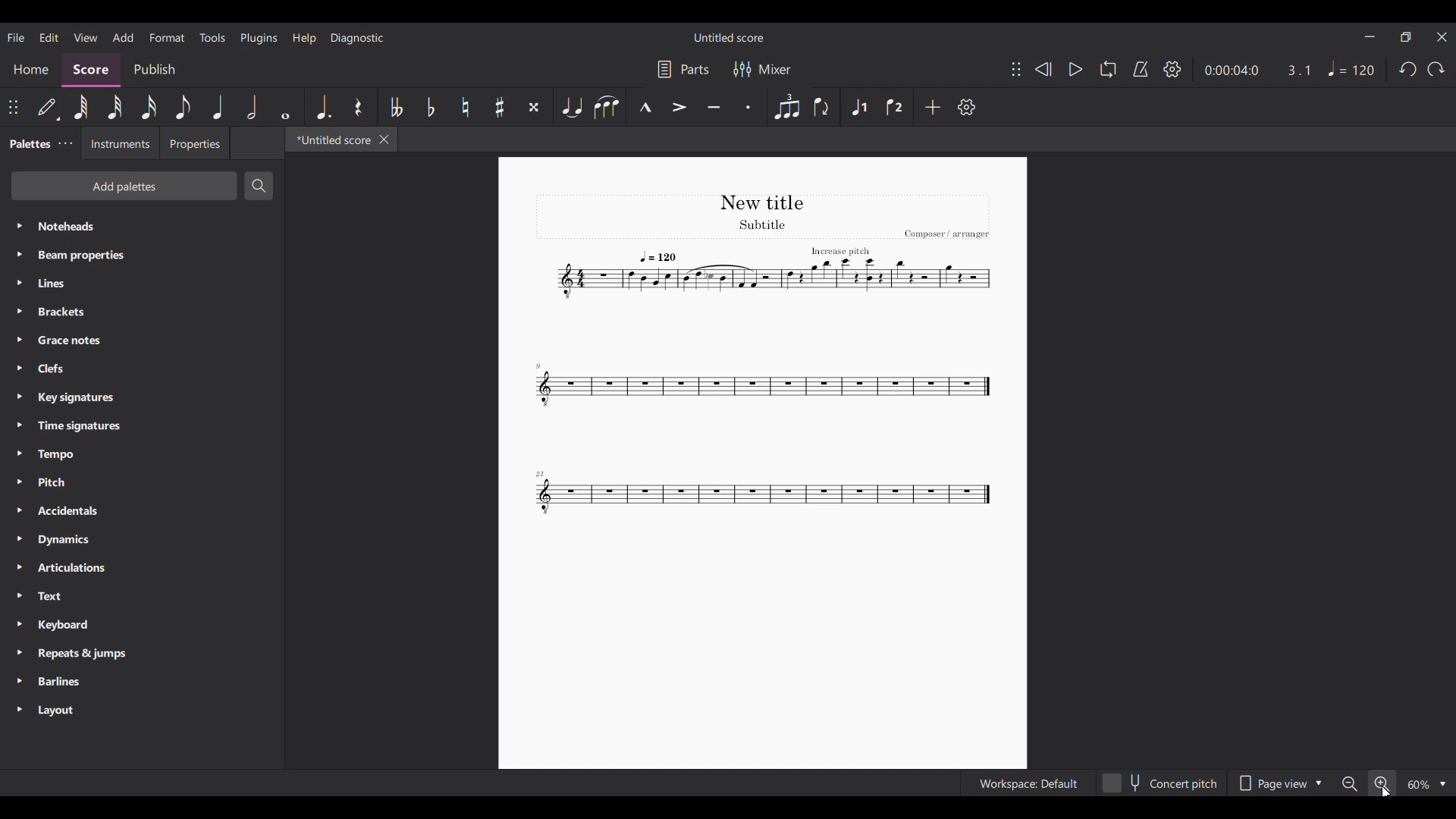 The height and width of the screenshot is (819, 1456). What do you see at coordinates (285, 107) in the screenshot?
I see `Whole note` at bounding box center [285, 107].